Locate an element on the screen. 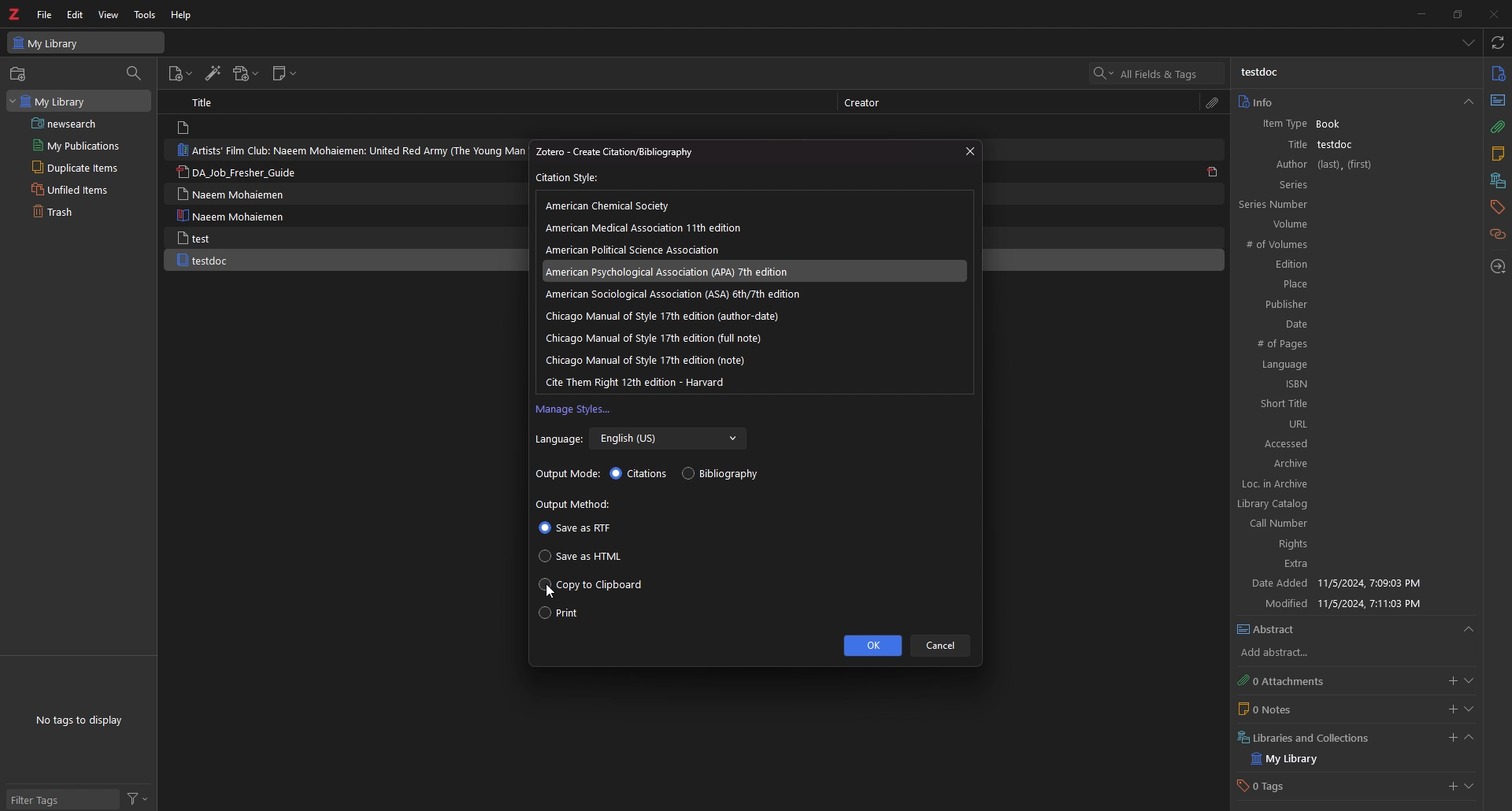 The width and height of the screenshot is (1512, 811). help is located at coordinates (183, 14).